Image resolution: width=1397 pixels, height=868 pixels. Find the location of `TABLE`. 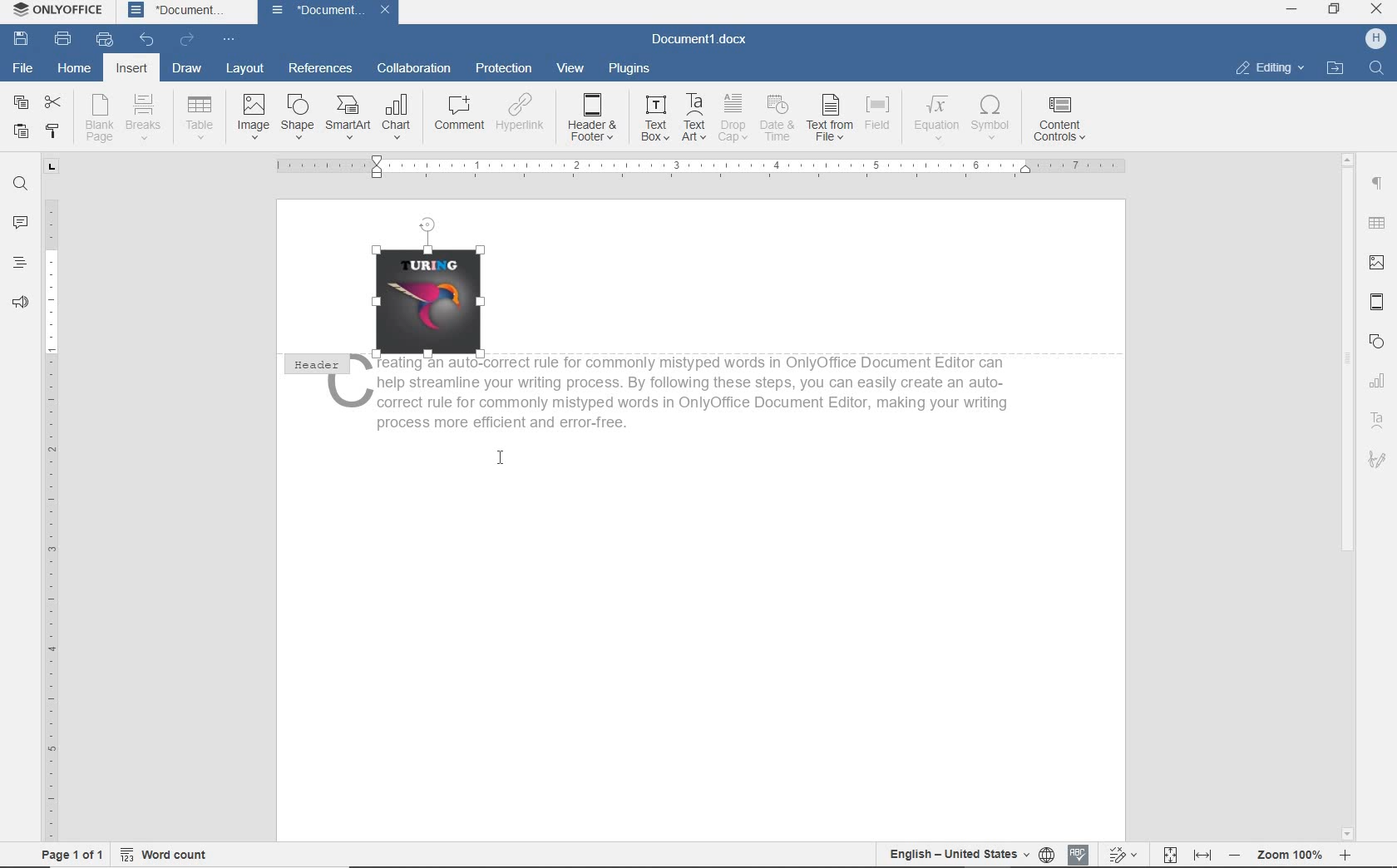

TABLE is located at coordinates (1375, 224).